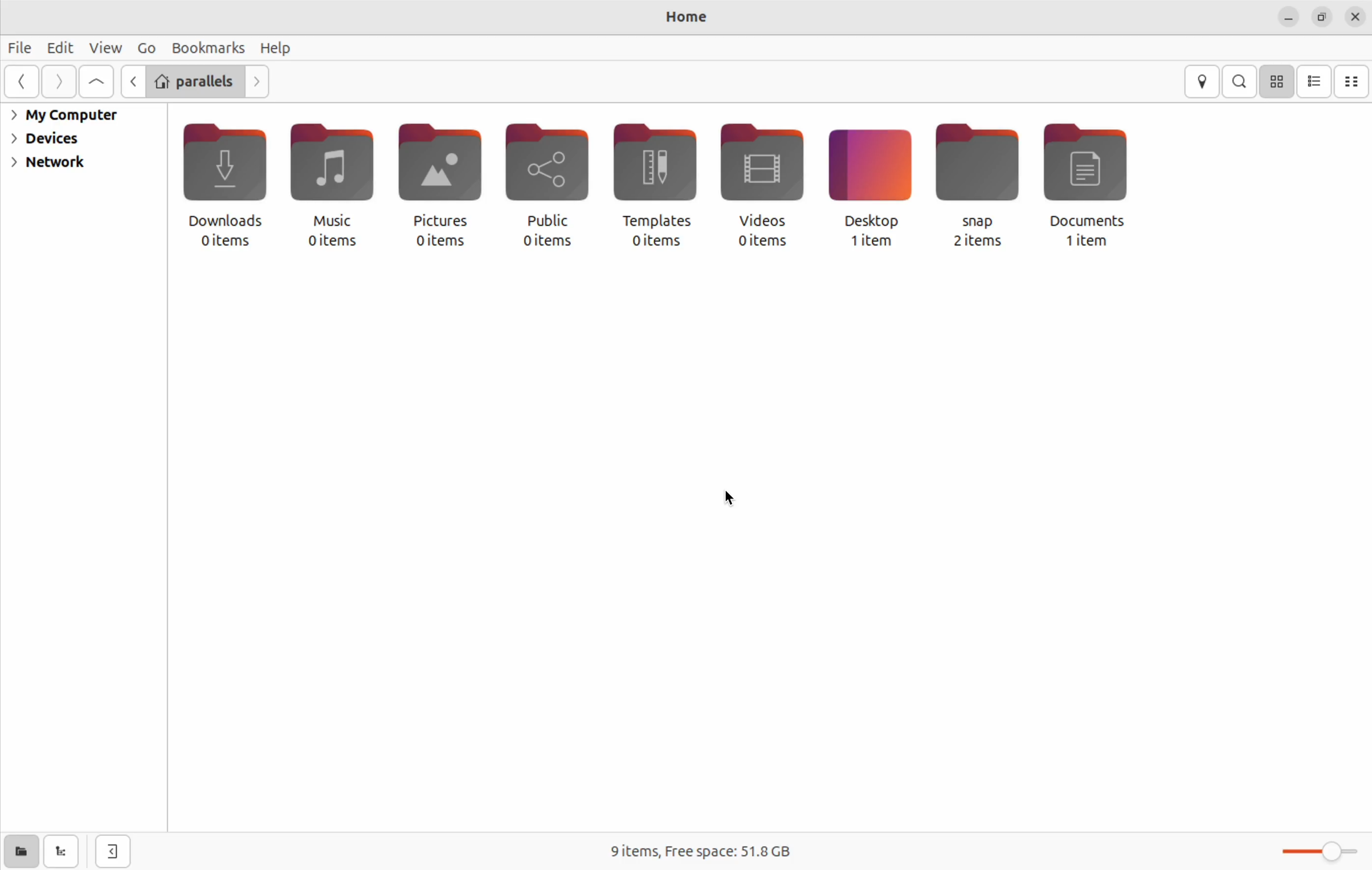  What do you see at coordinates (867, 186) in the screenshot?
I see `desktop 1 item` at bounding box center [867, 186].